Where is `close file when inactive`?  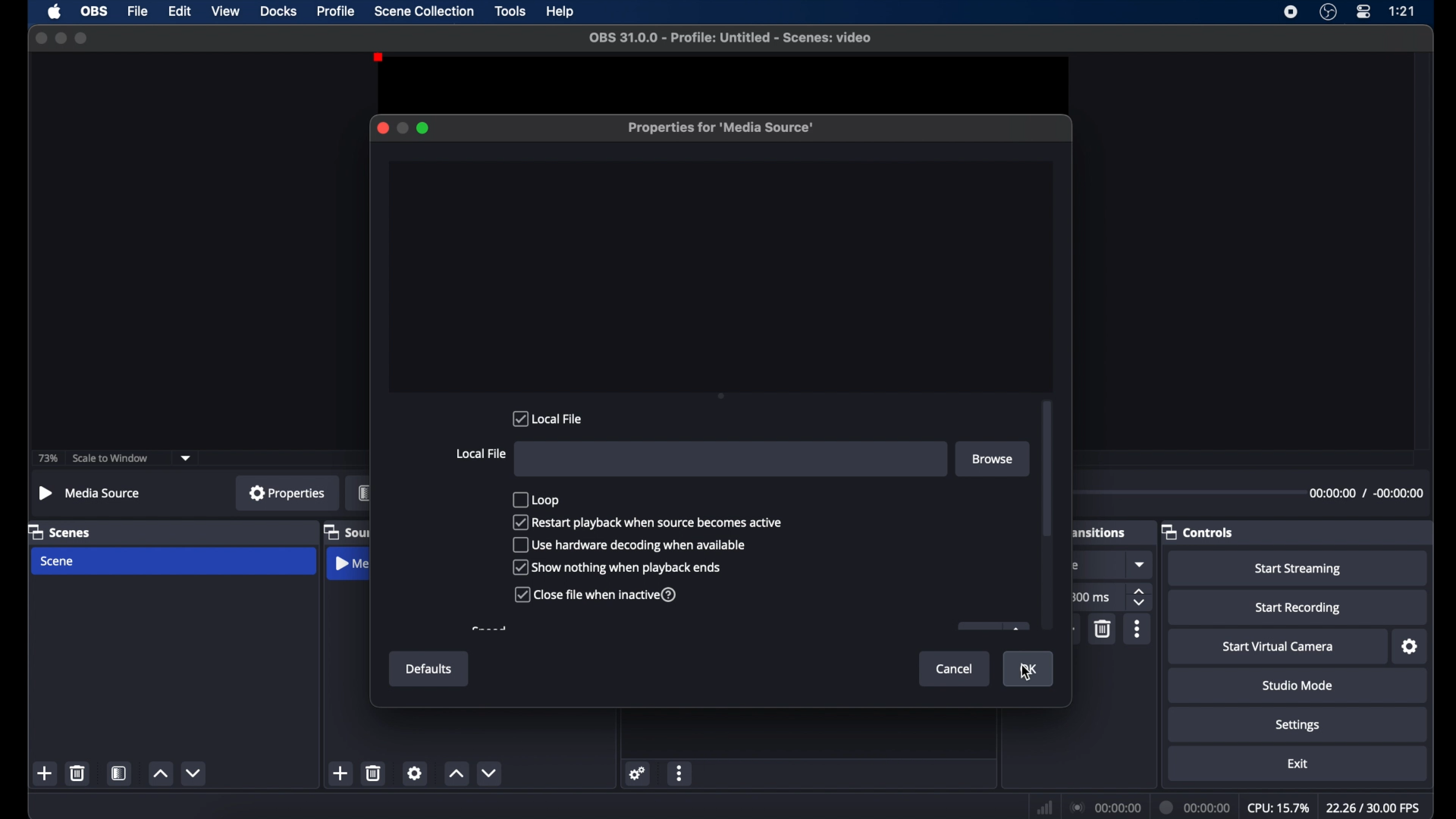 close file when inactive is located at coordinates (598, 595).